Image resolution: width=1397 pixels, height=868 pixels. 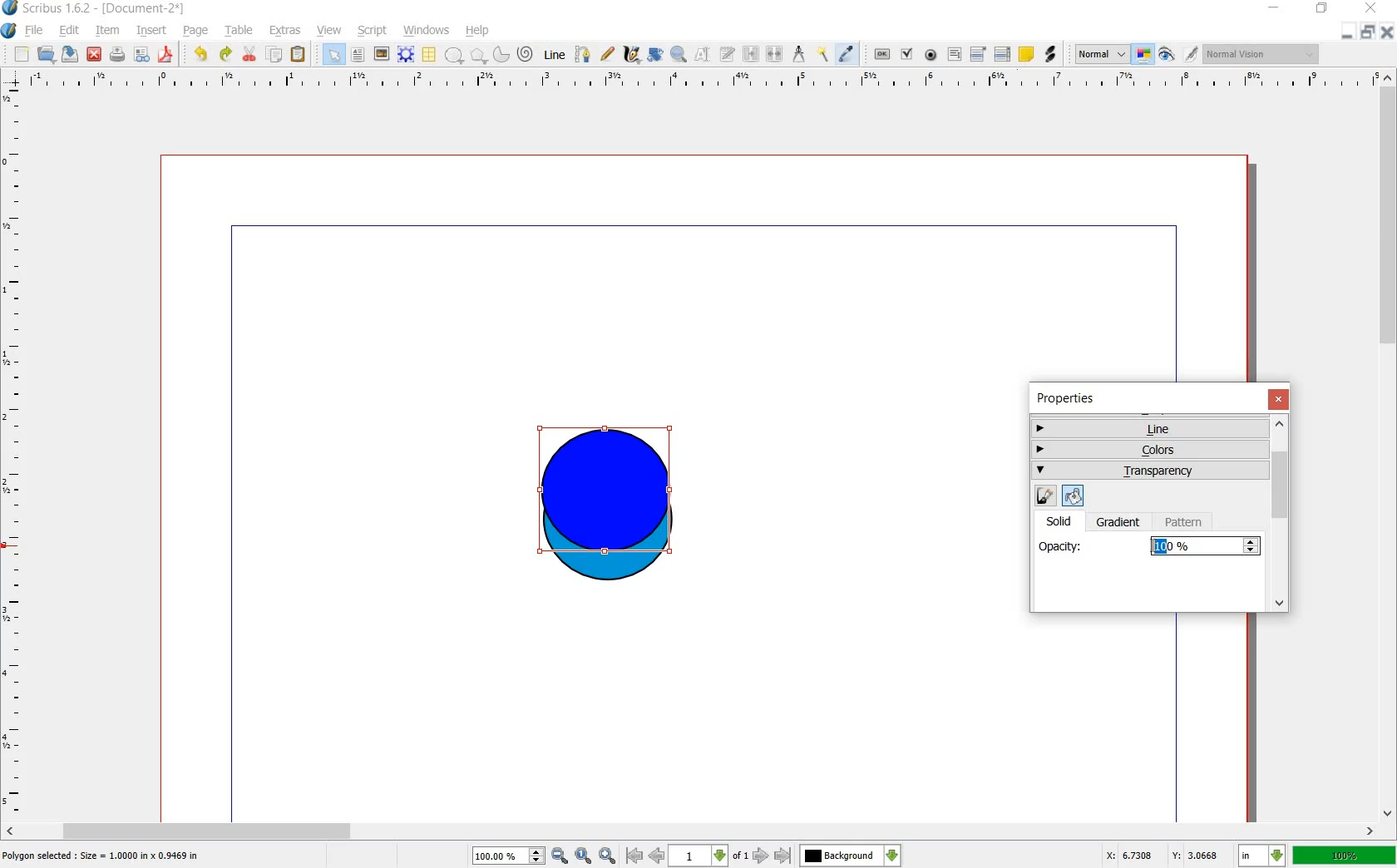 I want to click on of 1, so click(x=740, y=856).